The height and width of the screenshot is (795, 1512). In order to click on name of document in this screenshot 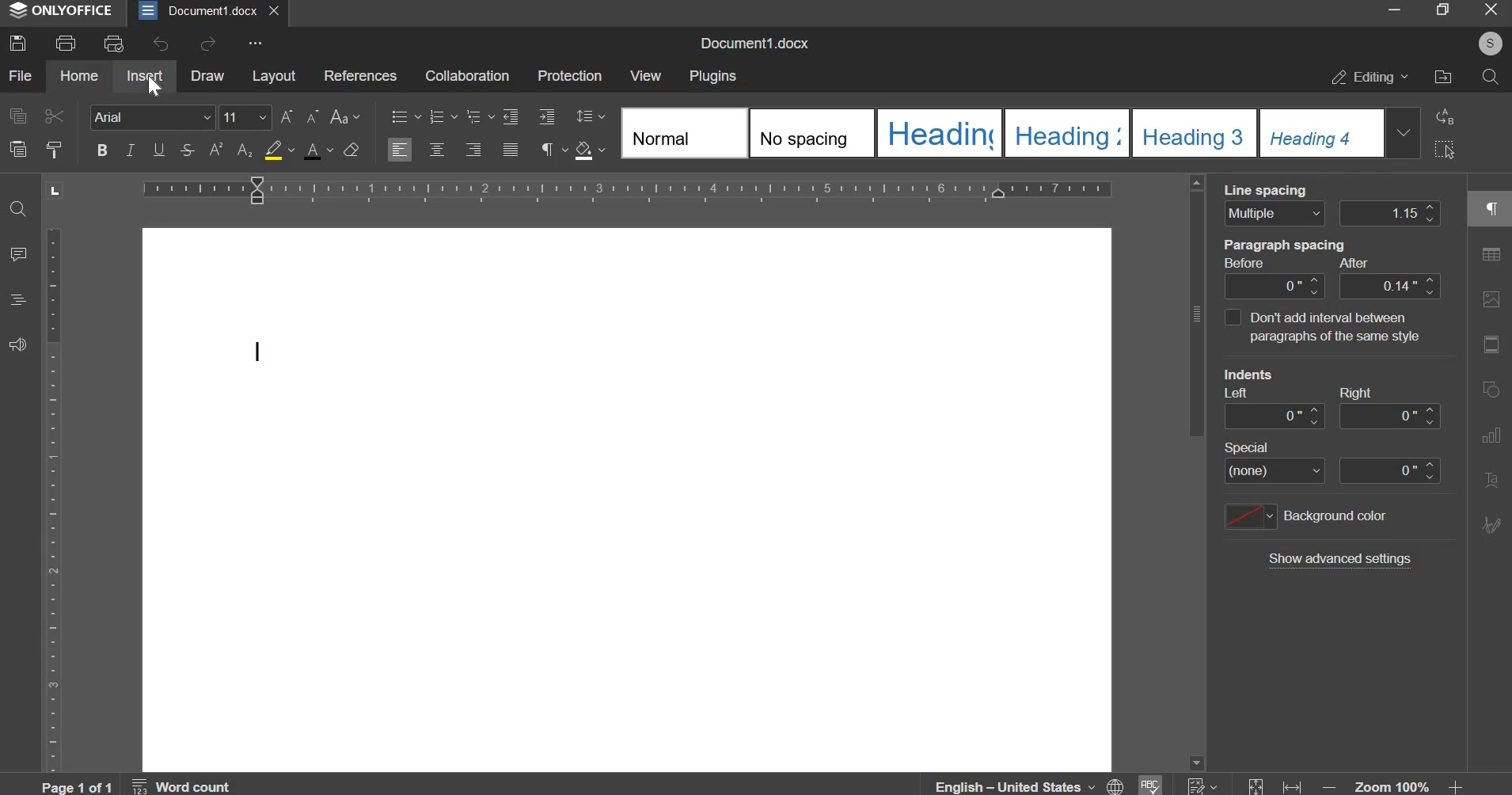, I will do `click(754, 44)`.